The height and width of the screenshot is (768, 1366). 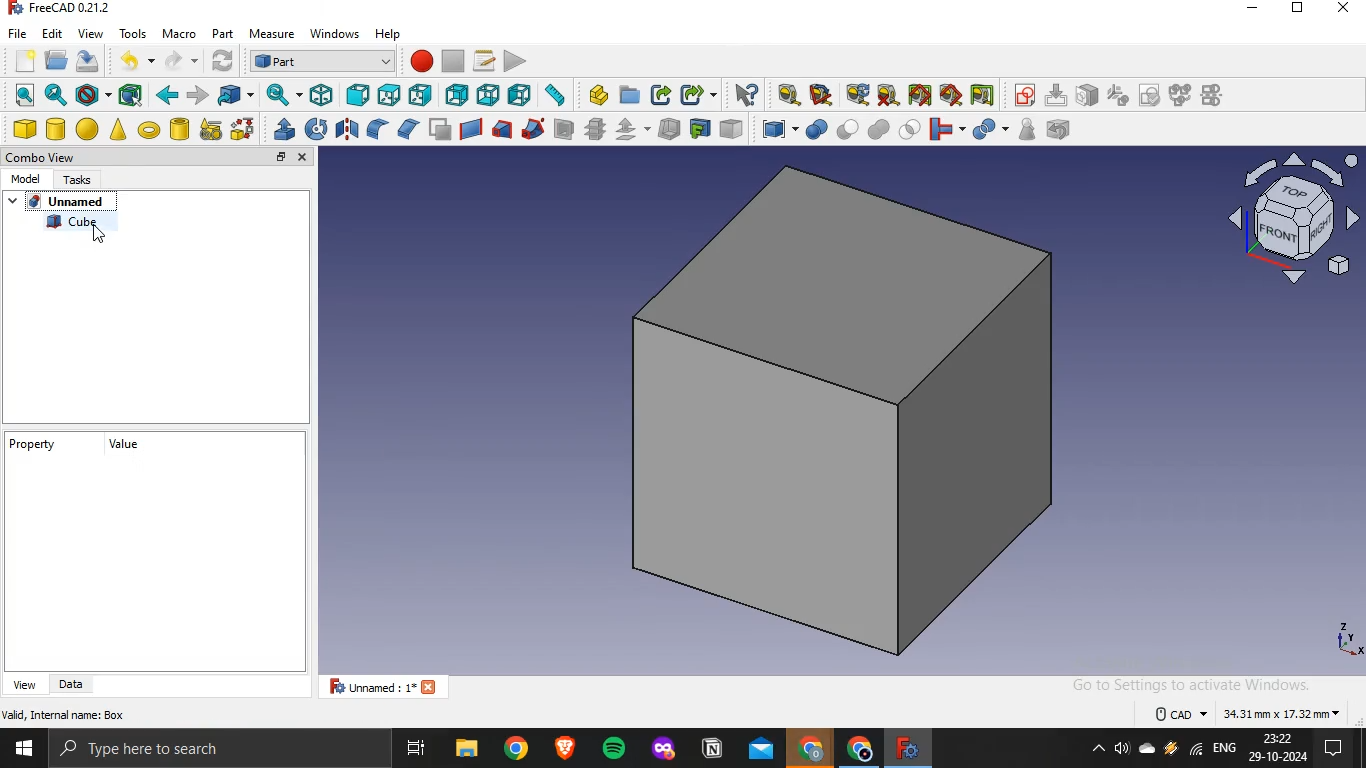 What do you see at coordinates (133, 32) in the screenshot?
I see `tools` at bounding box center [133, 32].